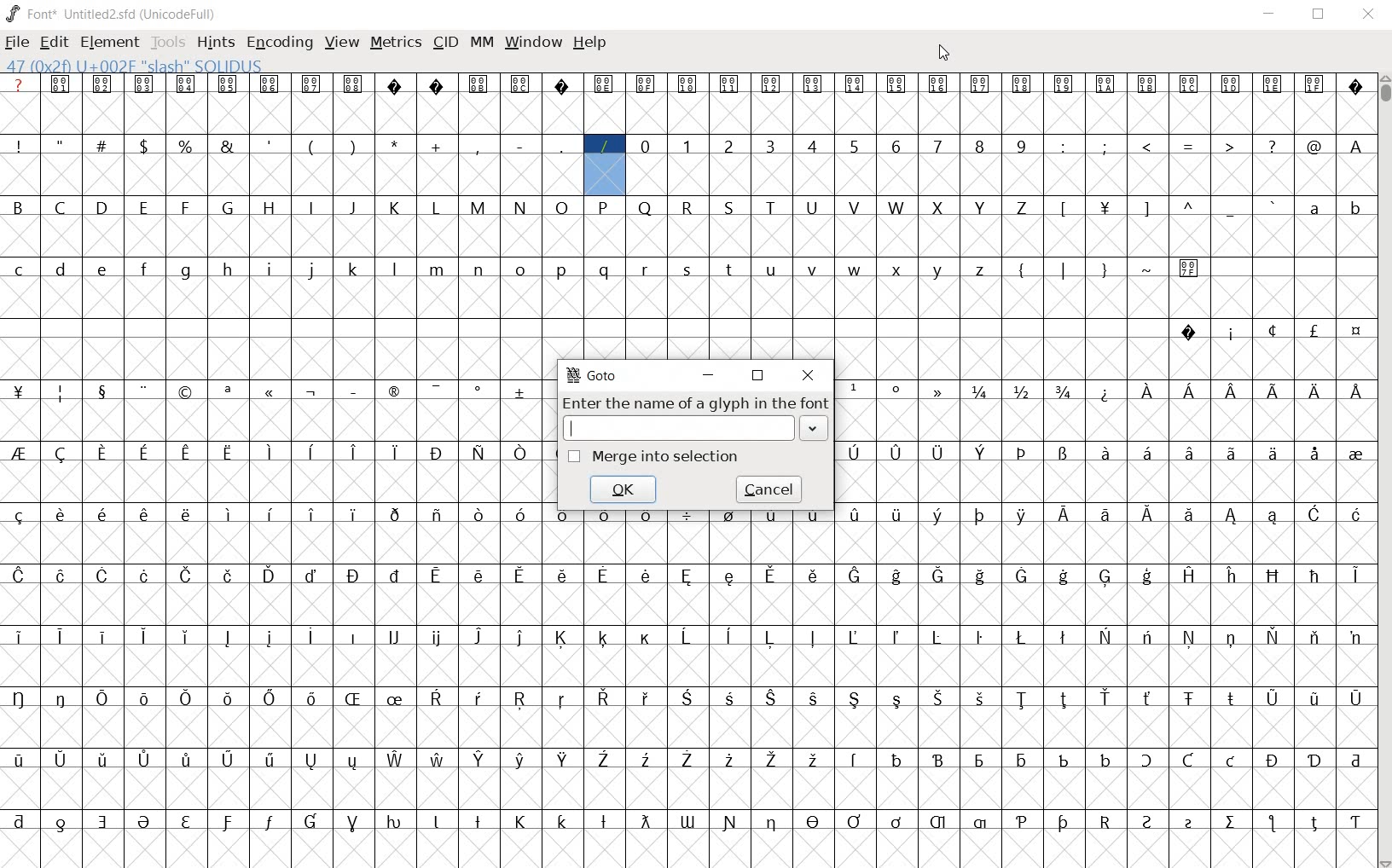  I want to click on glyph, so click(772, 514).